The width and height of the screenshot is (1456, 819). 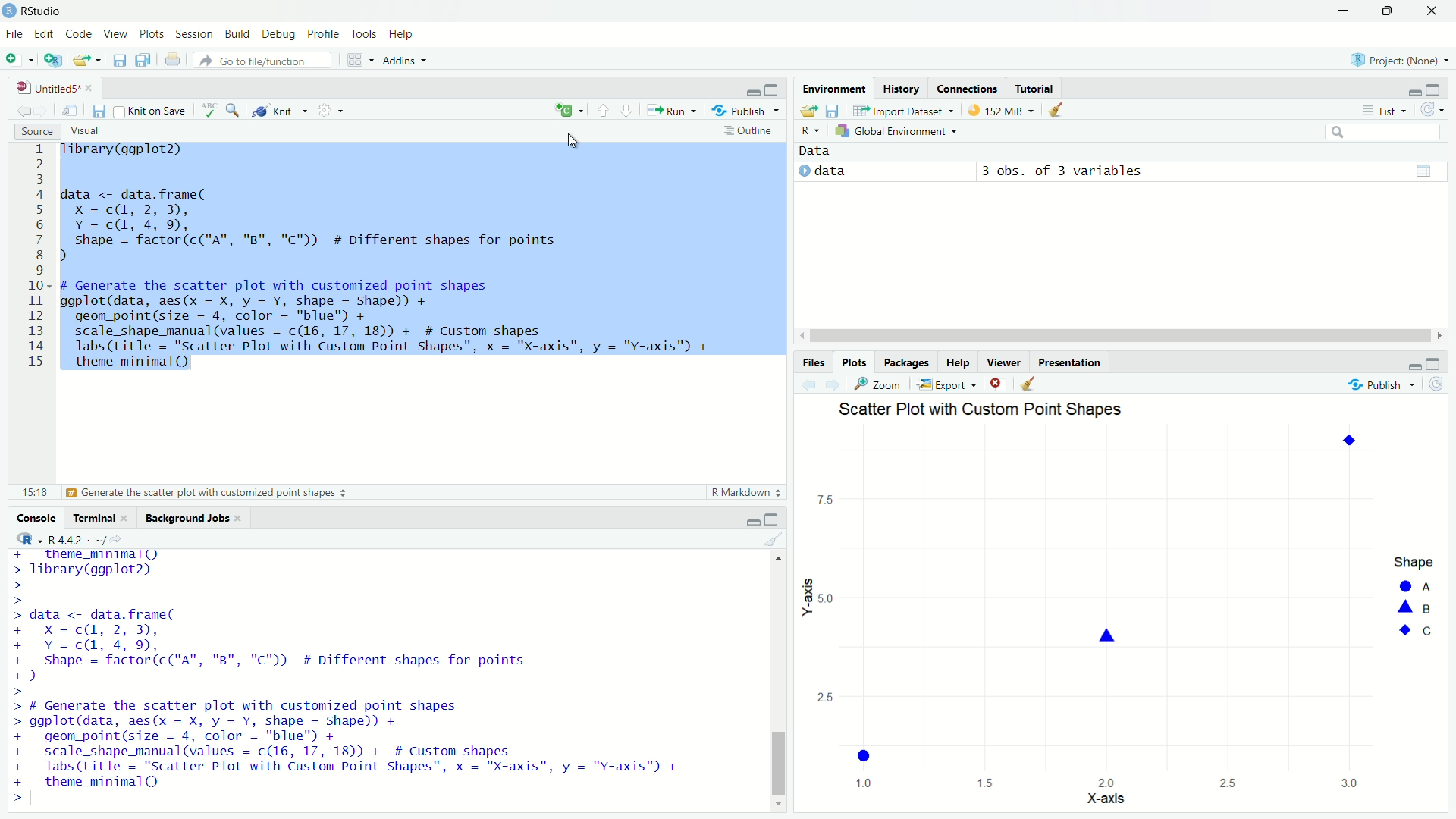 I want to click on maximize, so click(x=1433, y=89).